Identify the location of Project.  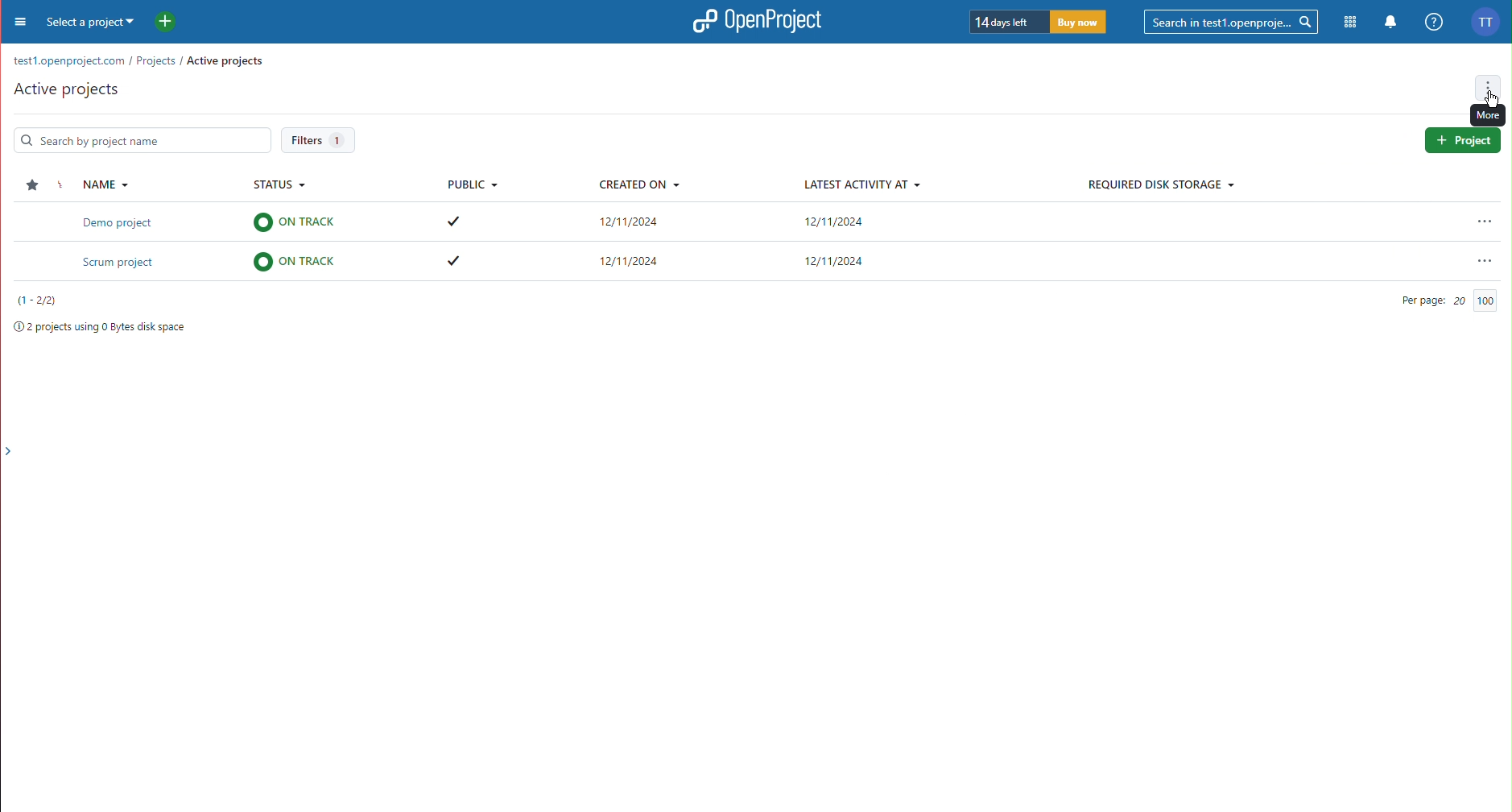
(1464, 142).